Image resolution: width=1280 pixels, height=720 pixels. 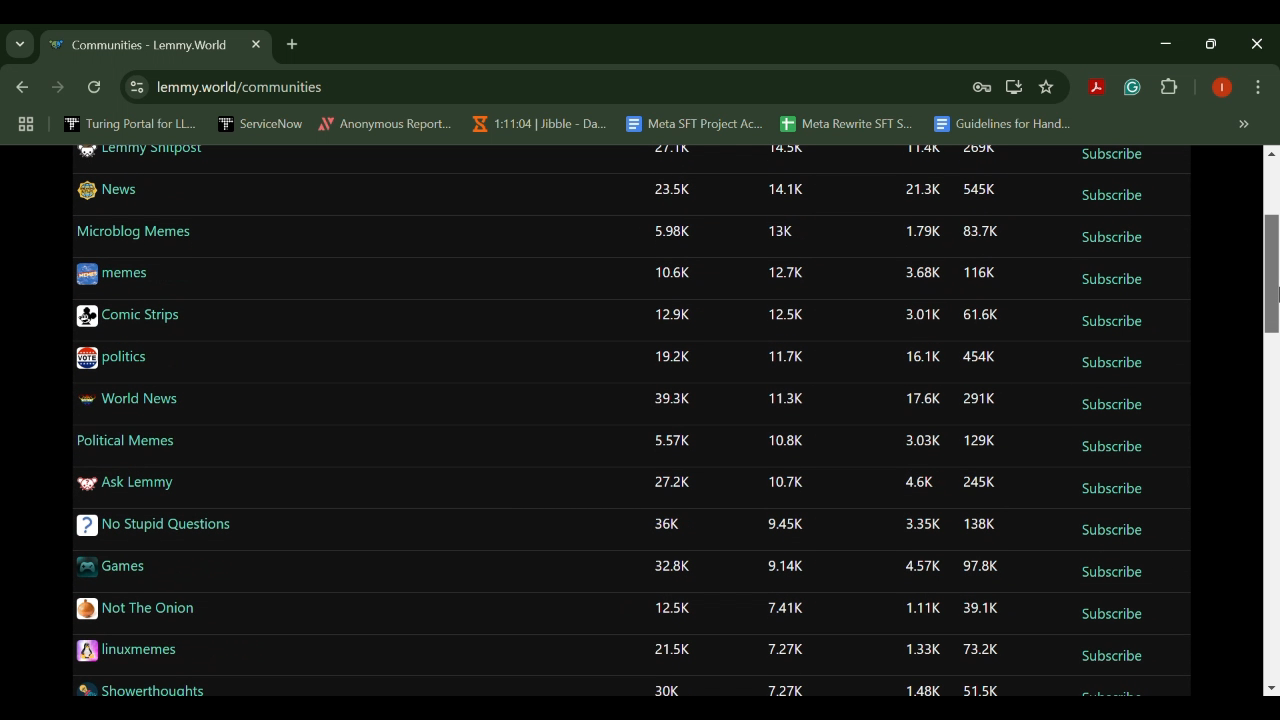 What do you see at coordinates (1109, 197) in the screenshot?
I see `Subscribe` at bounding box center [1109, 197].